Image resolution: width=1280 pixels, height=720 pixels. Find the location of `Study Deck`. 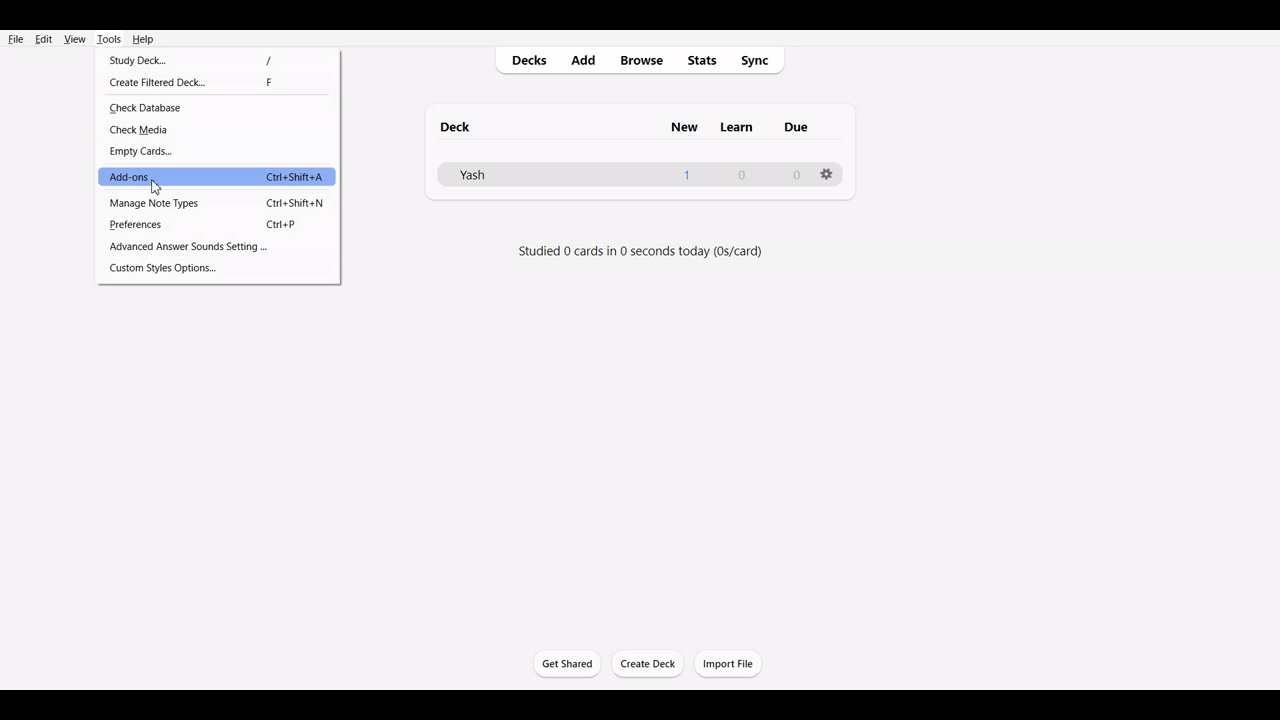

Study Deck is located at coordinates (218, 60).